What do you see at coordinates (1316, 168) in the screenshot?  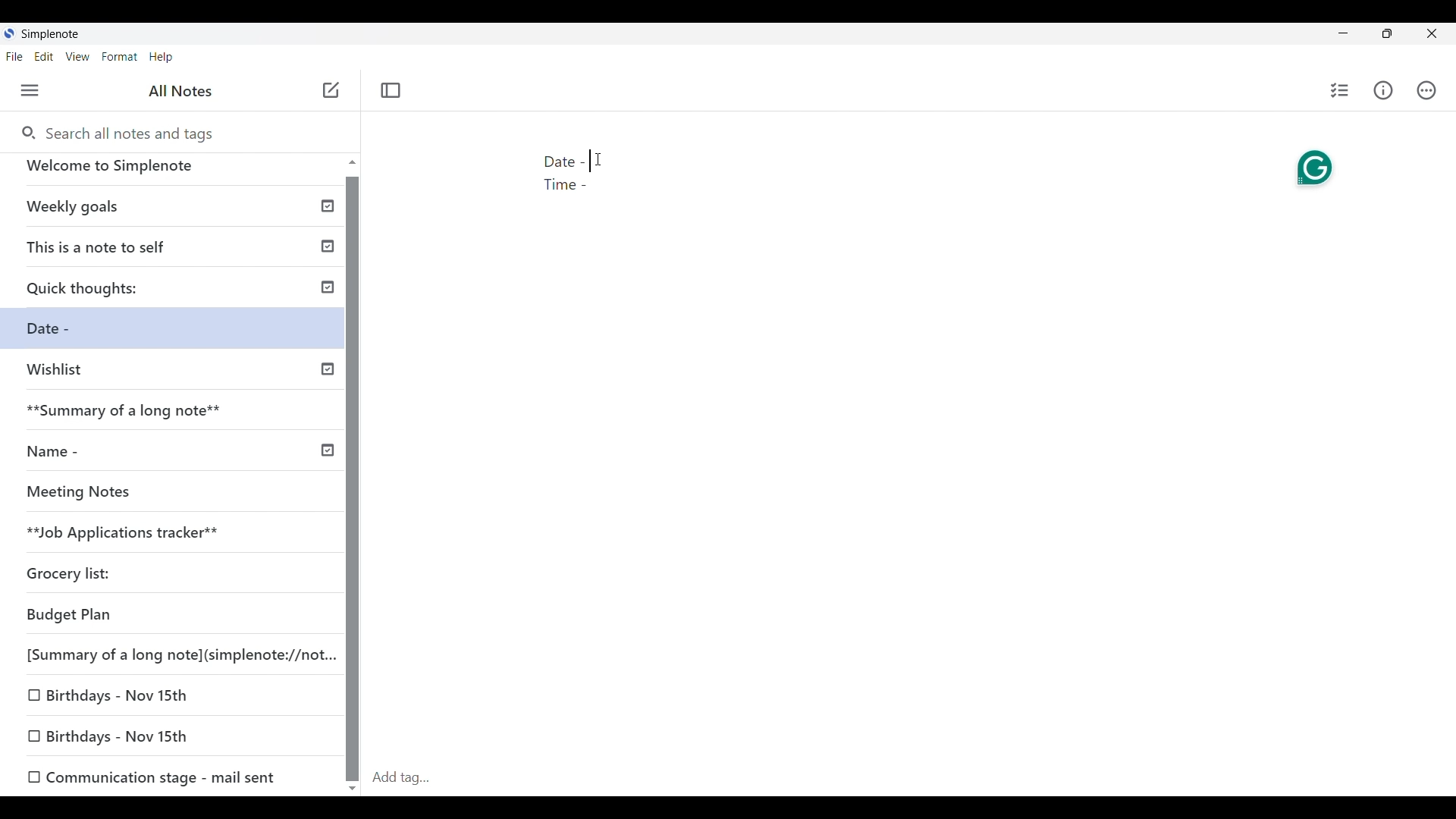 I see `Grammarly extension` at bounding box center [1316, 168].